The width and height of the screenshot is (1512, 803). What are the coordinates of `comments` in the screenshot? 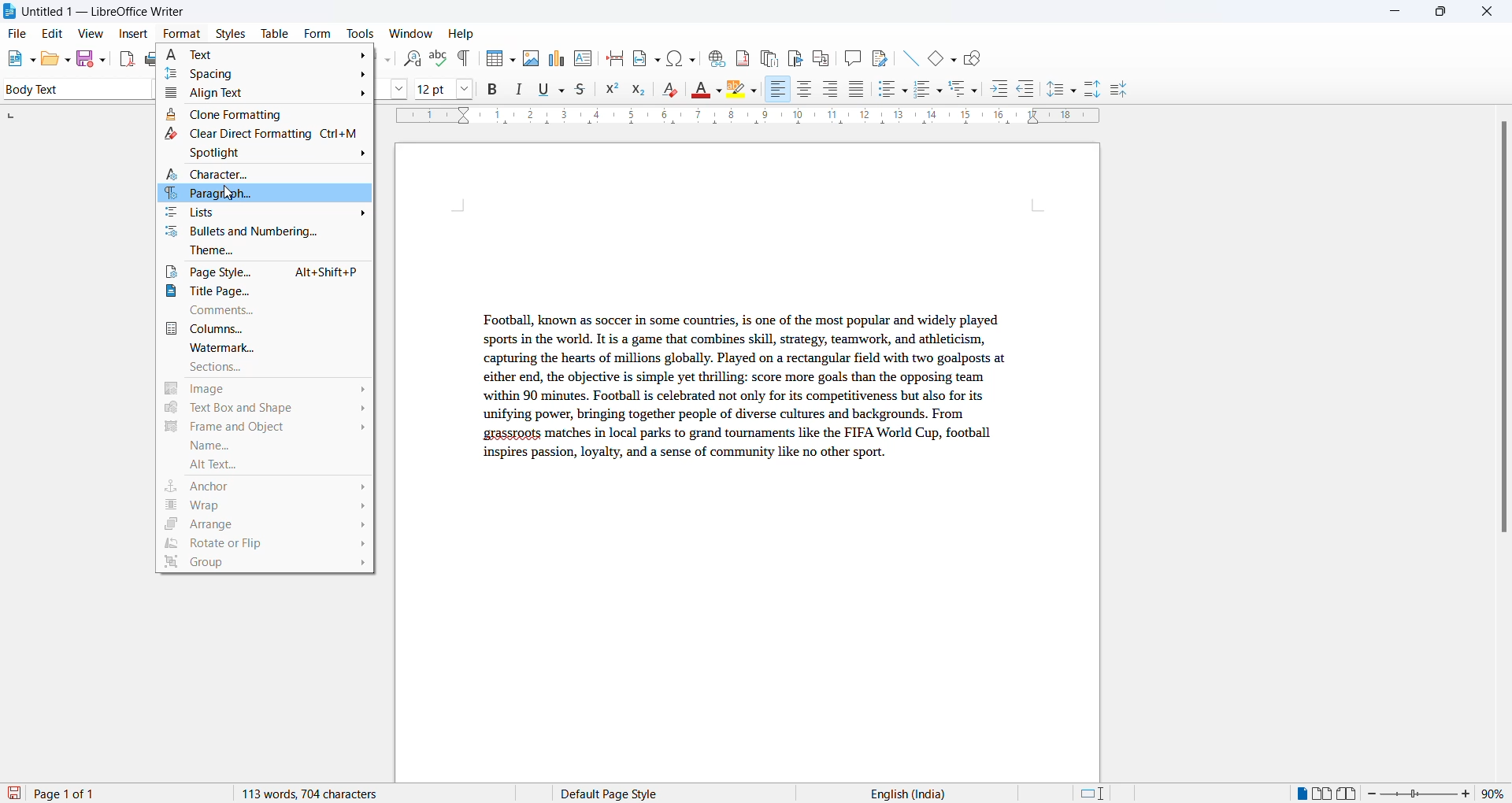 It's located at (267, 310).